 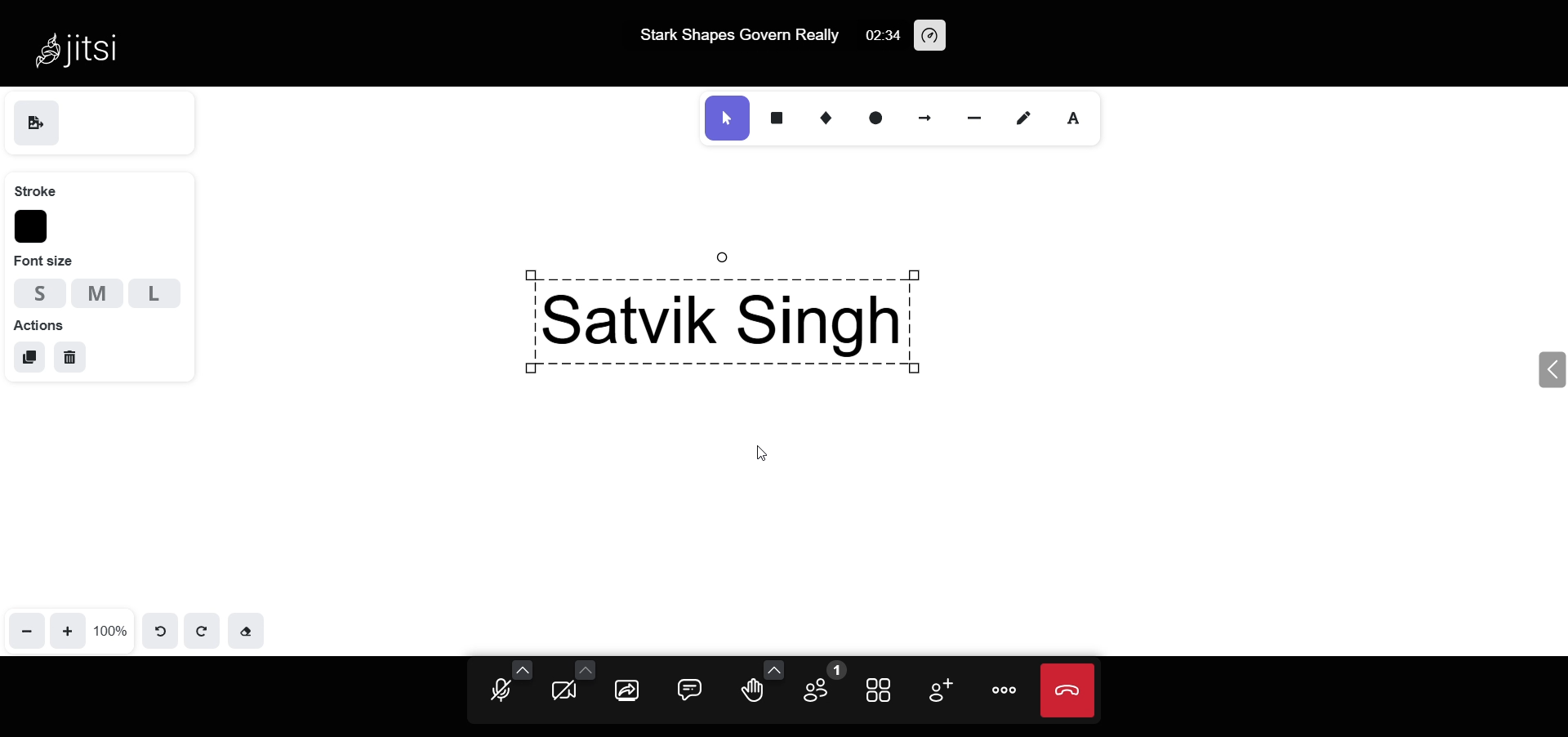 What do you see at coordinates (162, 628) in the screenshot?
I see `undo` at bounding box center [162, 628].